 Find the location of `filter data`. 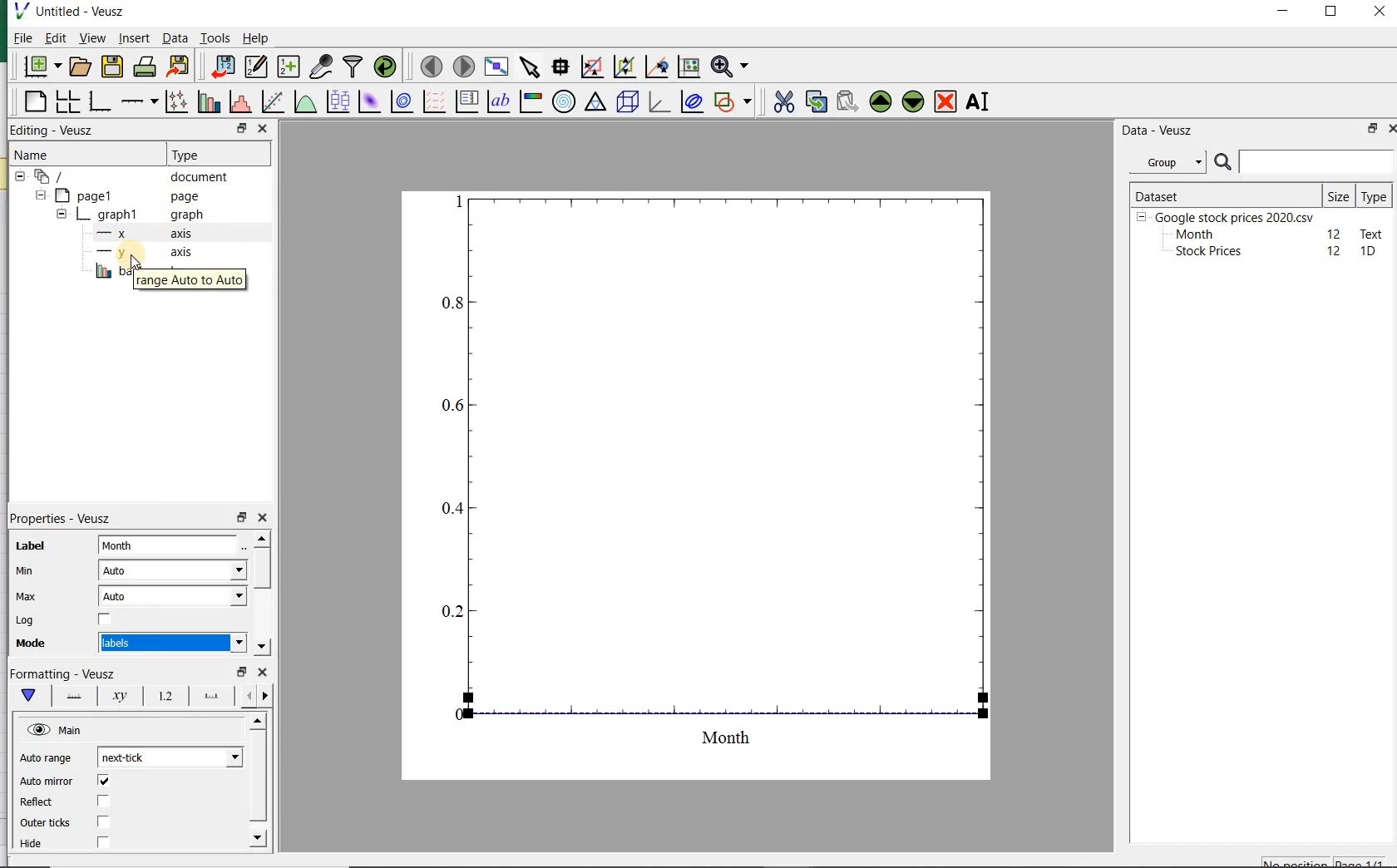

filter data is located at coordinates (353, 66).